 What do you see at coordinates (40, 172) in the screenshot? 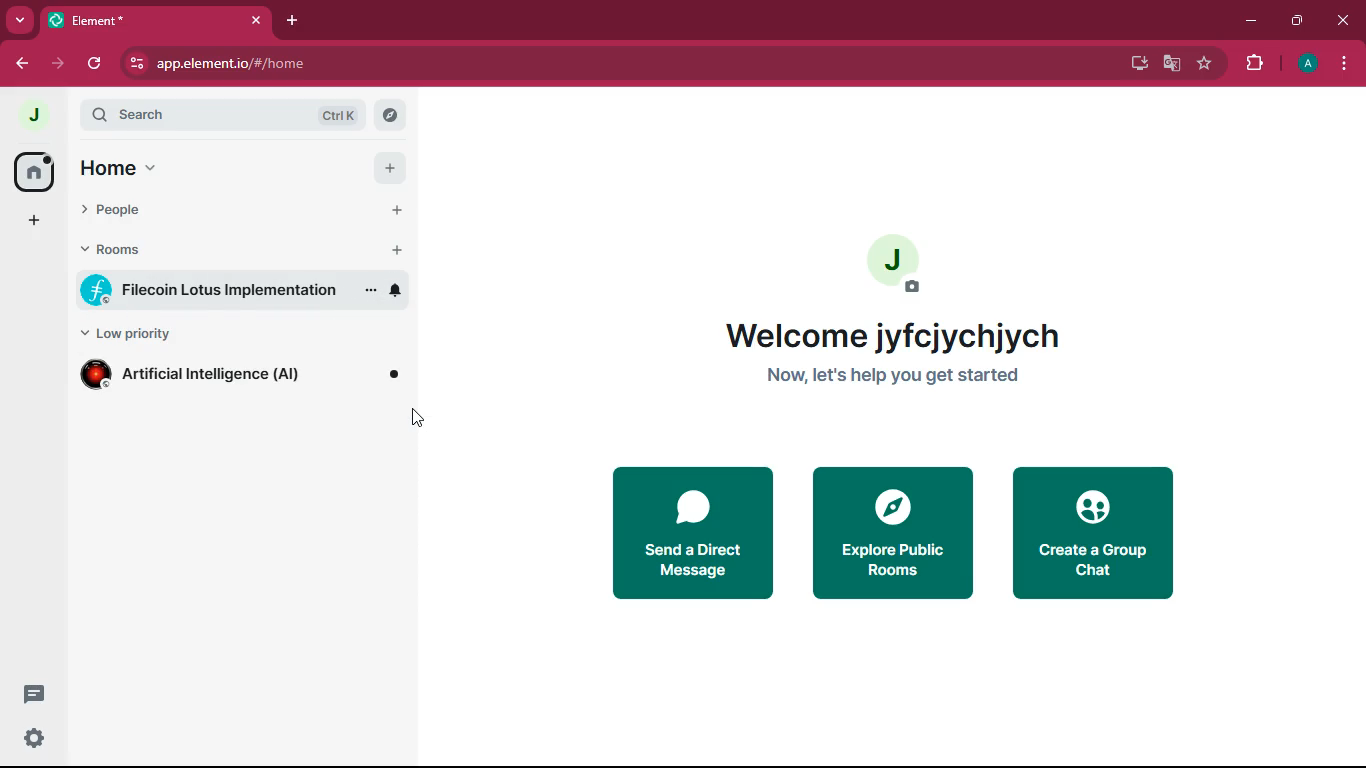
I see `home` at bounding box center [40, 172].